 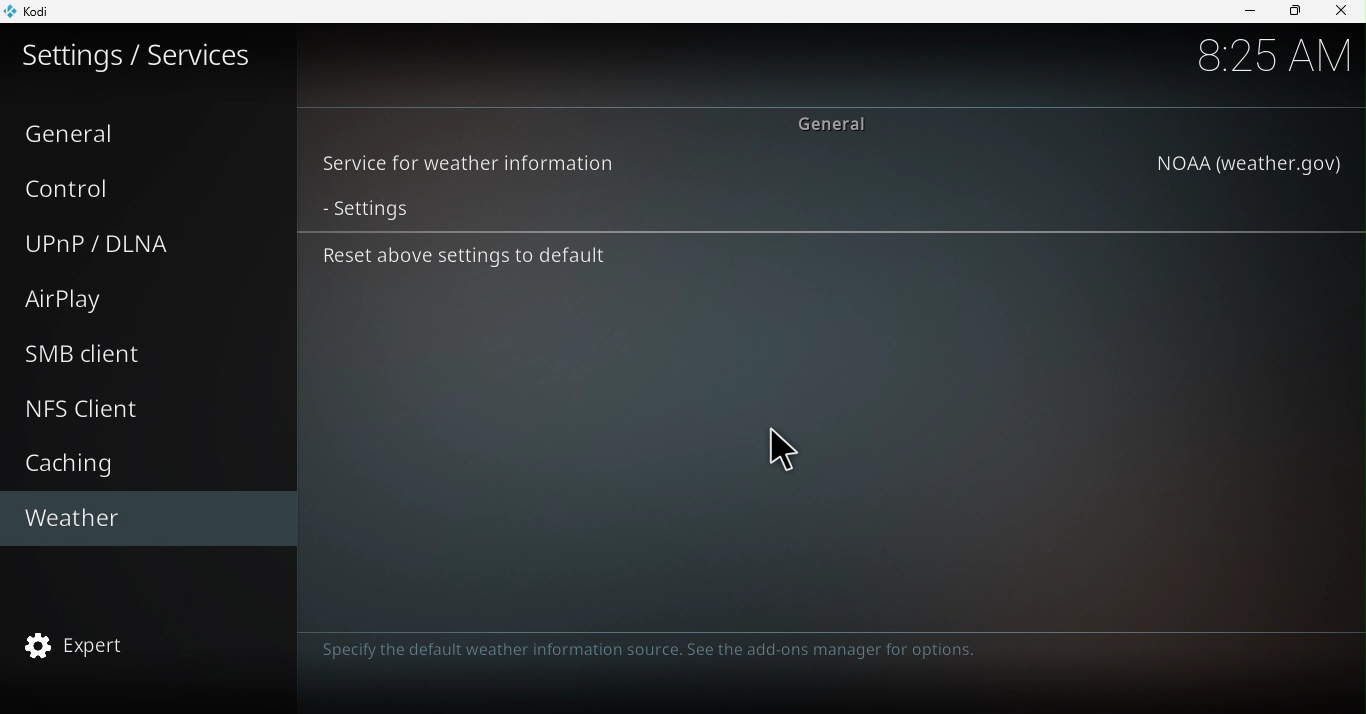 What do you see at coordinates (137, 299) in the screenshot?
I see `Airplay` at bounding box center [137, 299].